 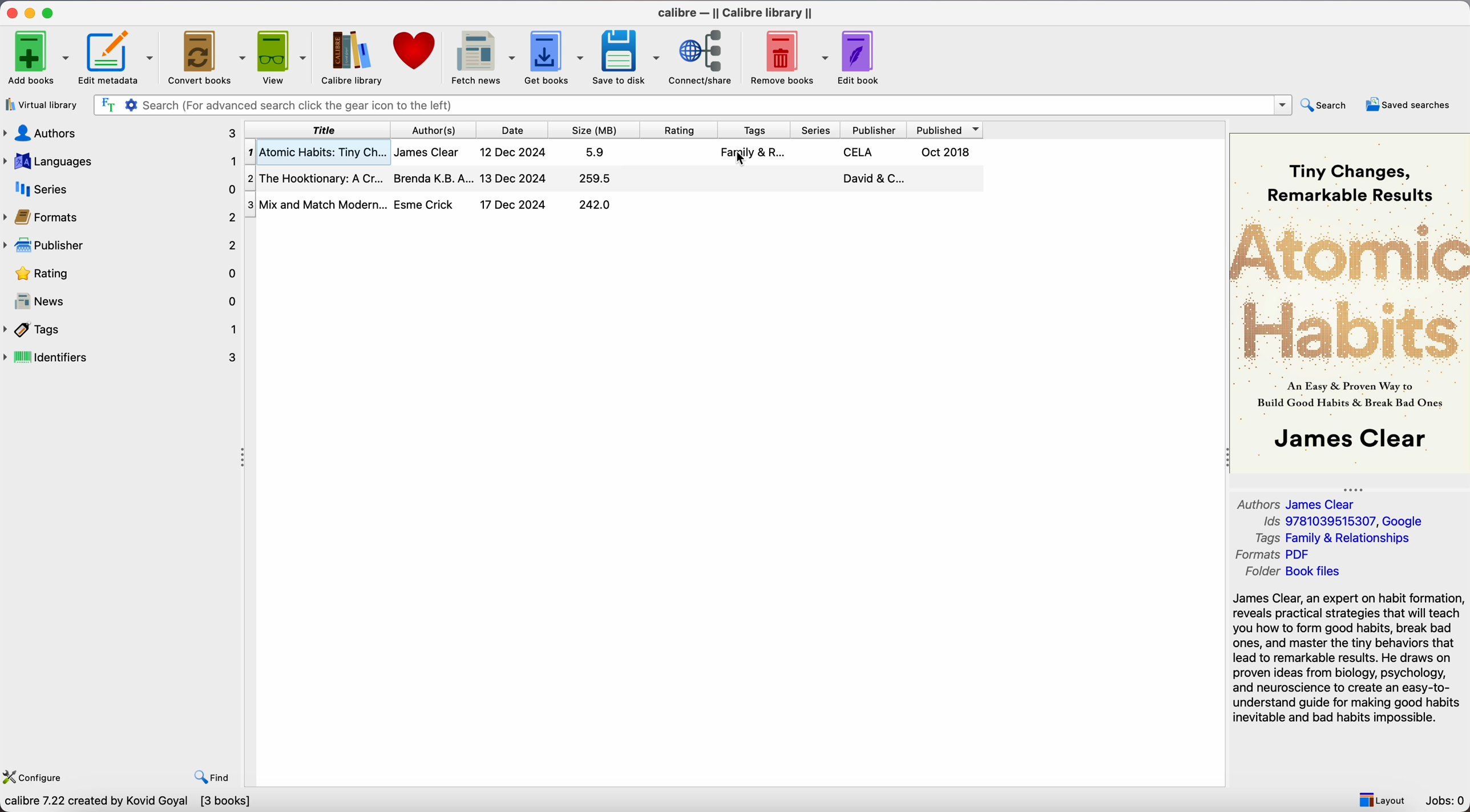 I want to click on donate, so click(x=415, y=49).